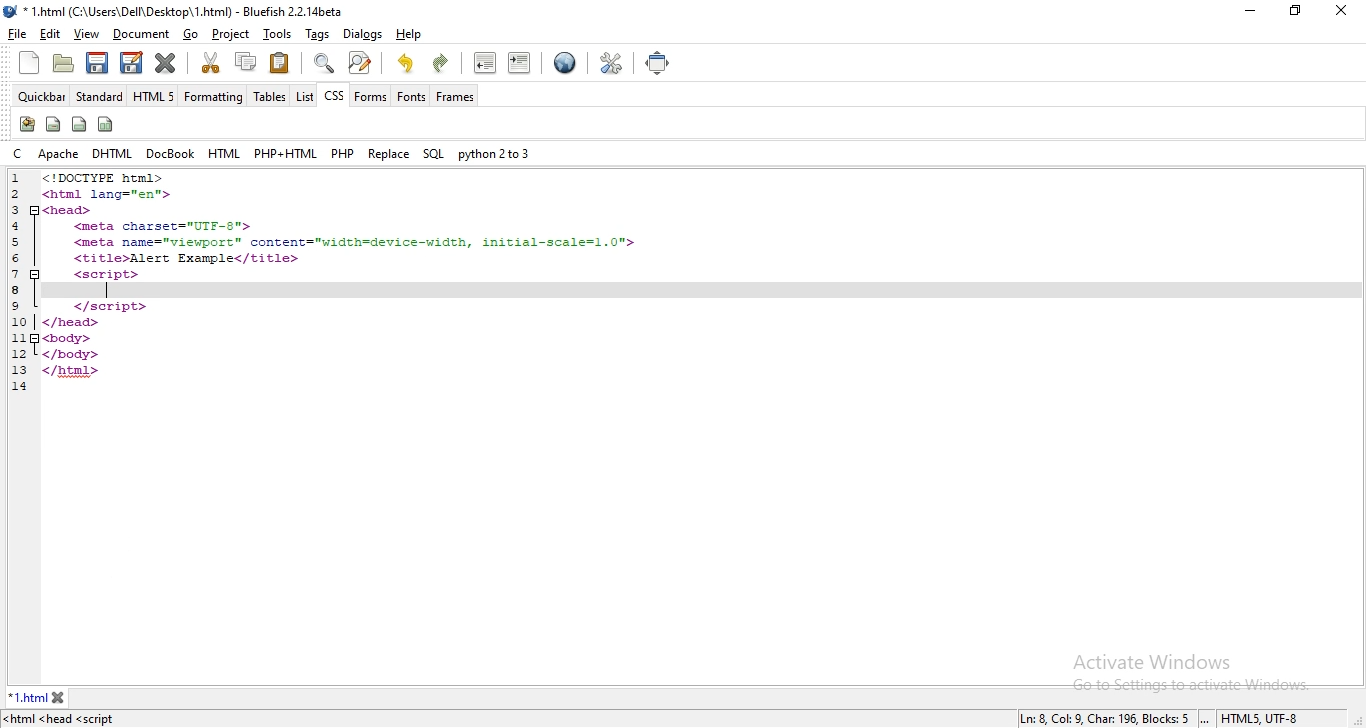  Describe the element at coordinates (211, 63) in the screenshot. I see `cut` at that location.